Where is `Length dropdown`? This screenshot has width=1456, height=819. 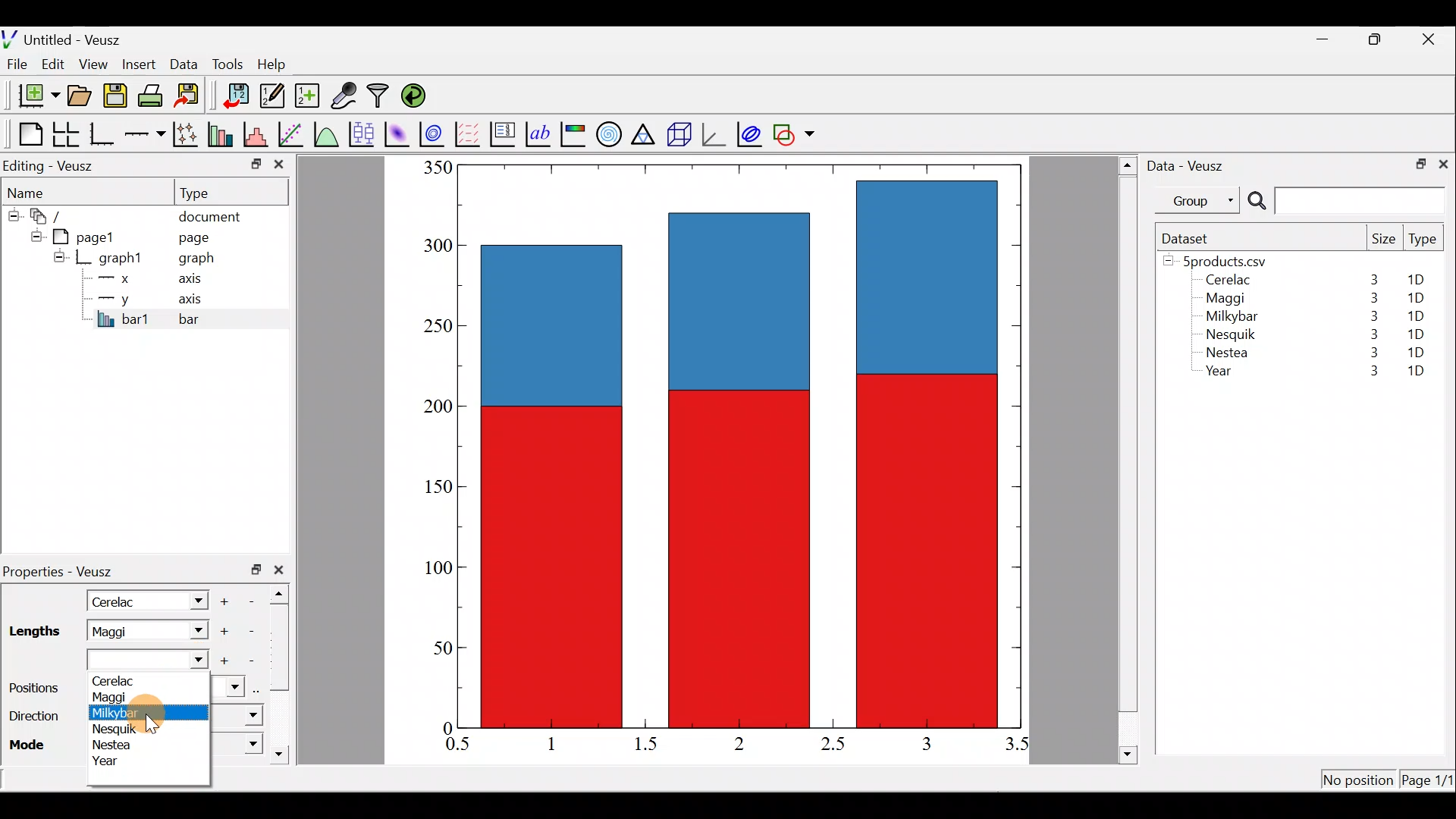
Length dropdown is located at coordinates (194, 631).